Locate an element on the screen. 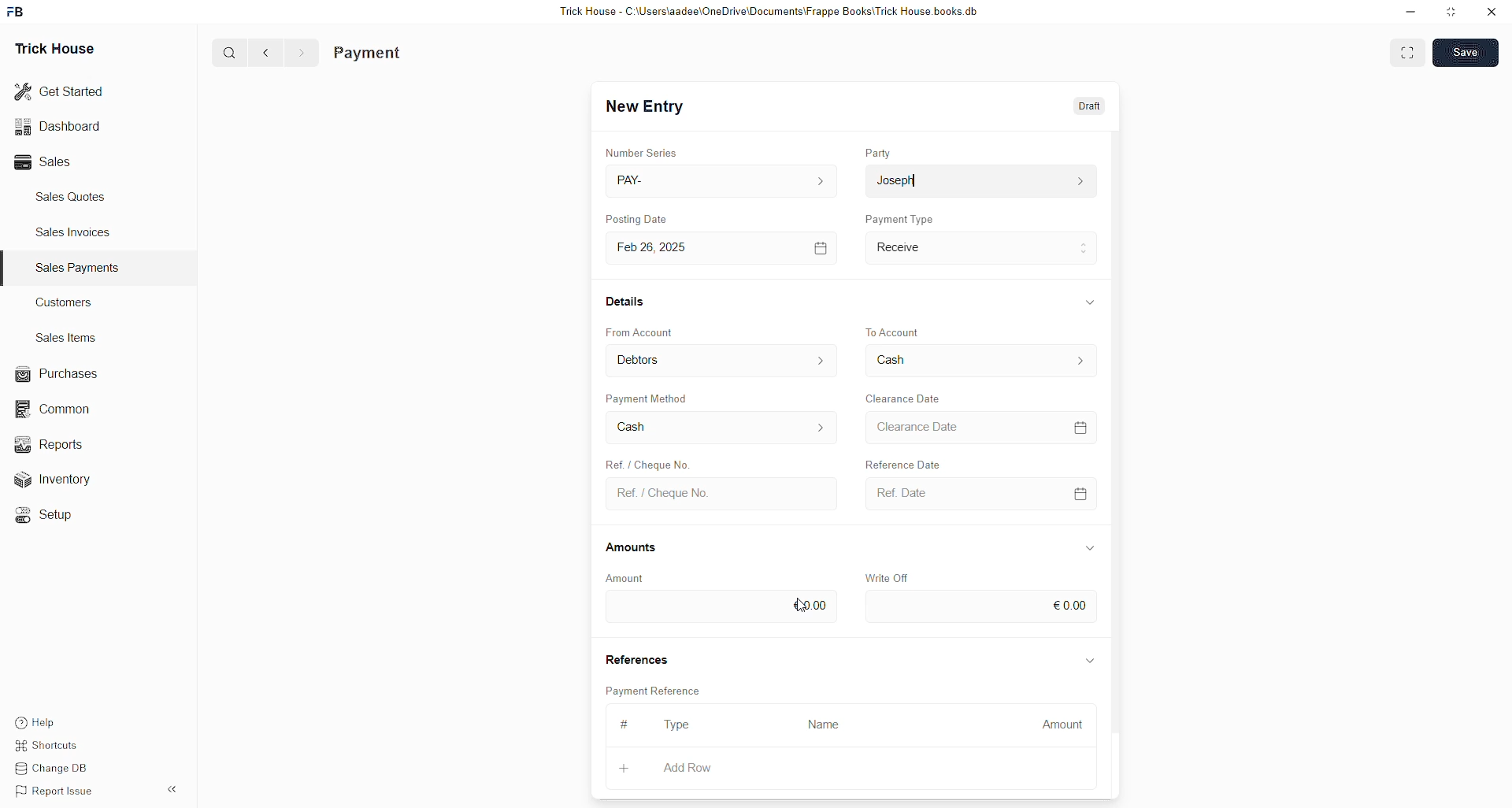  Show/Hide is located at coordinates (1089, 548).